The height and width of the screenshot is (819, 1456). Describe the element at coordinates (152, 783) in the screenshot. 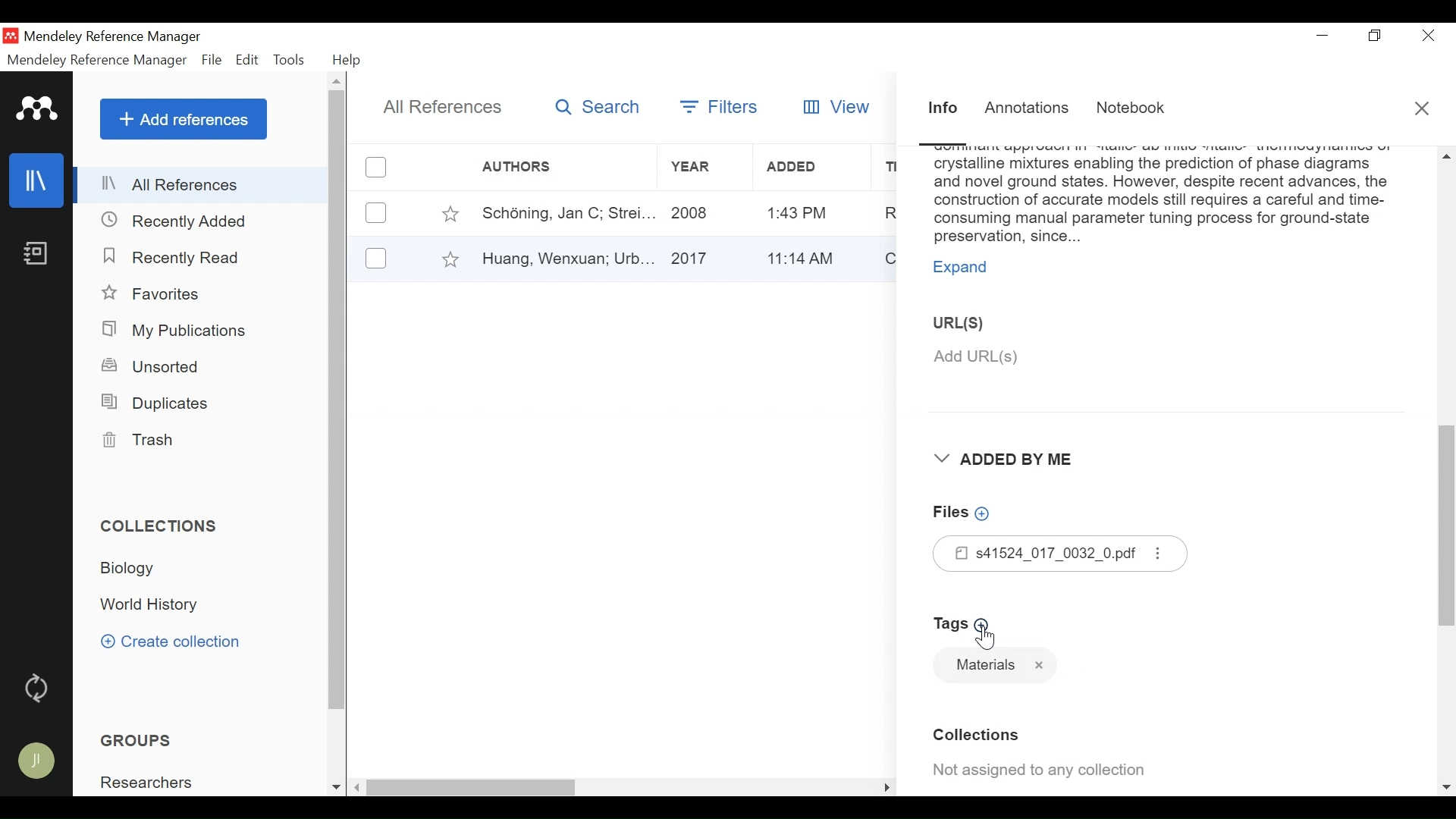

I see `Group` at that location.